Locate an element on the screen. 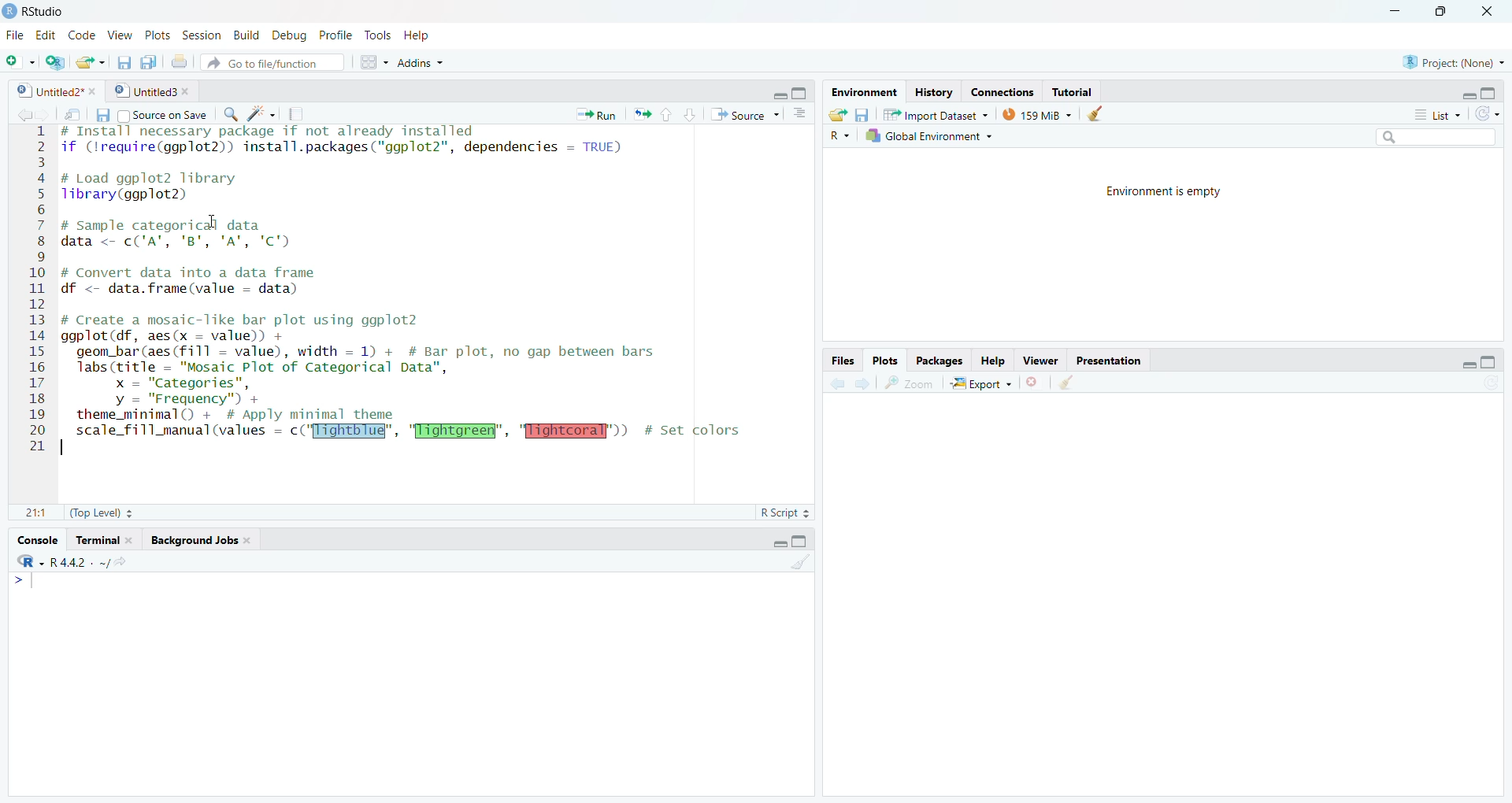  Untitled2 is located at coordinates (57, 92).